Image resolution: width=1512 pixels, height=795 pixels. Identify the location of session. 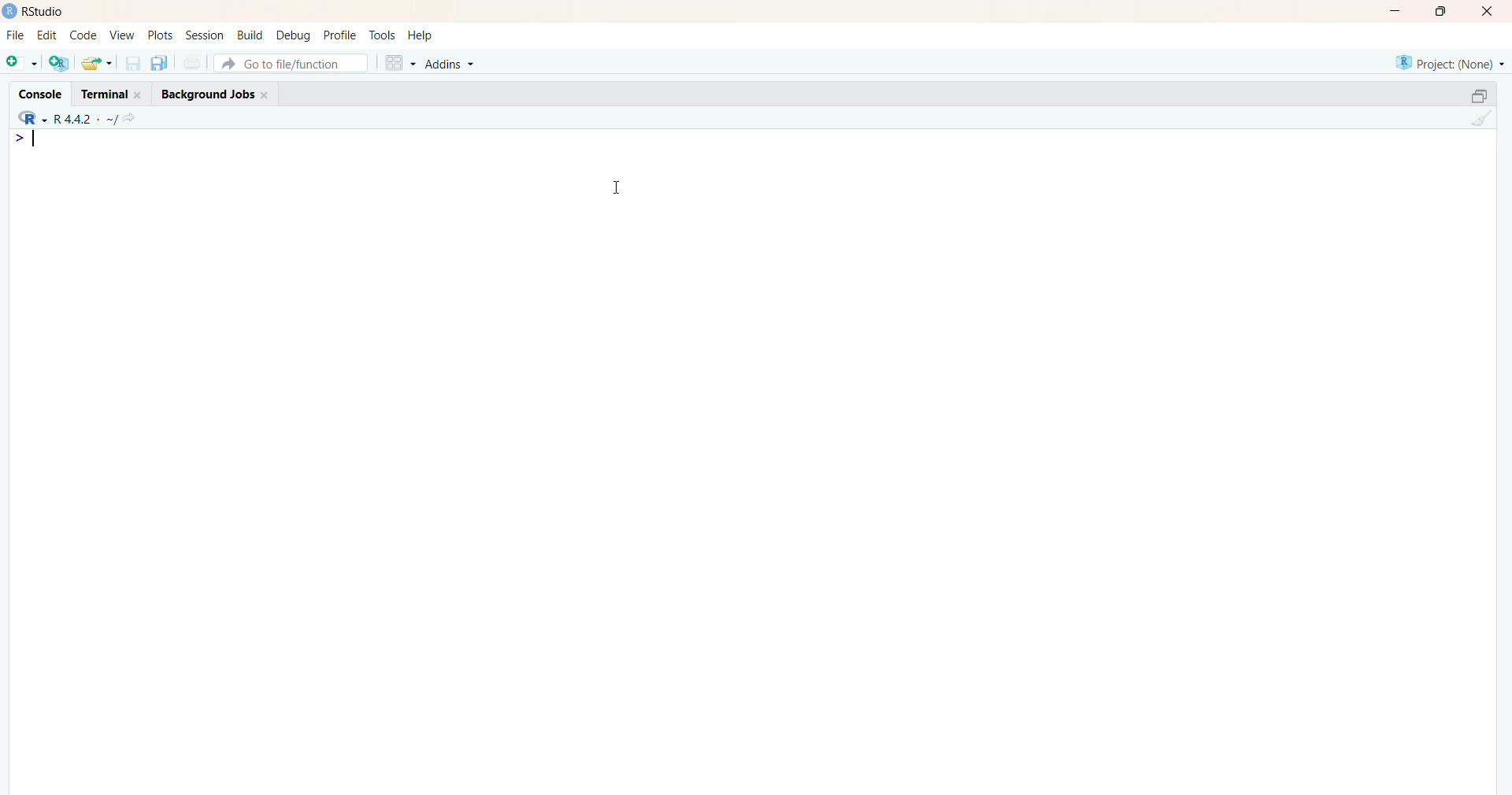
(205, 35).